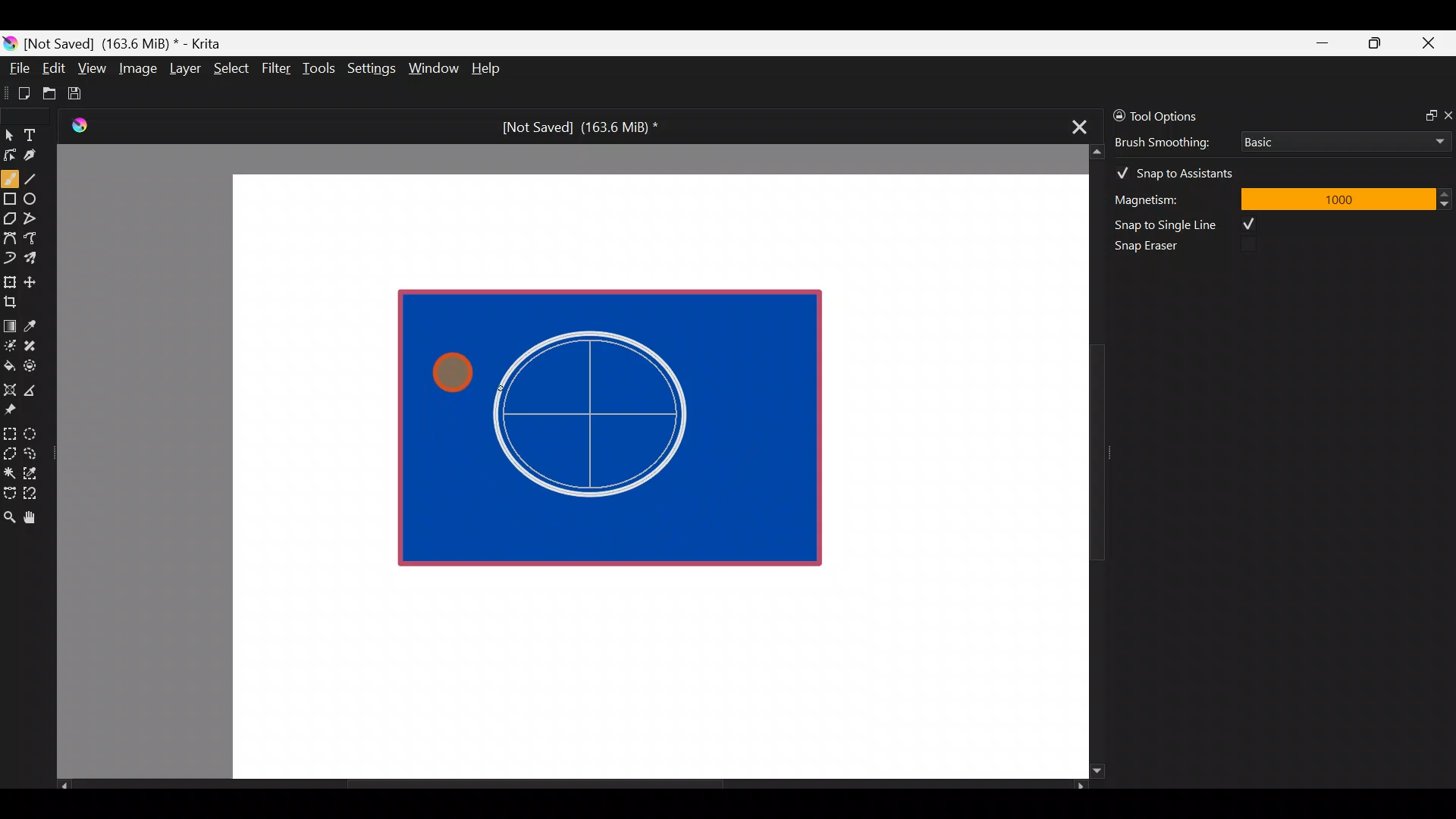  Describe the element at coordinates (9, 385) in the screenshot. I see `Assistant tool` at that location.